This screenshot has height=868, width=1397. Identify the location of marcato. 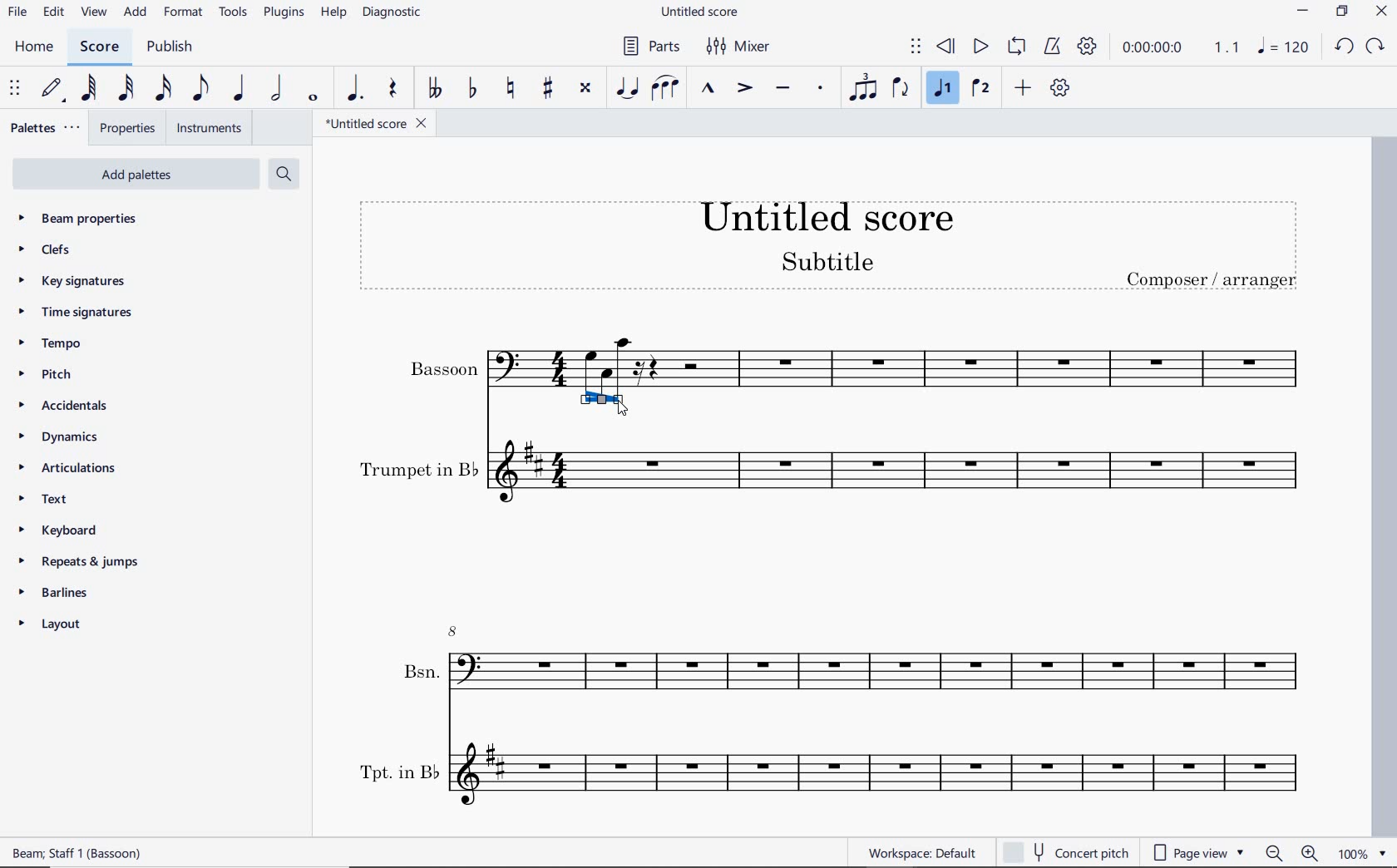
(710, 89).